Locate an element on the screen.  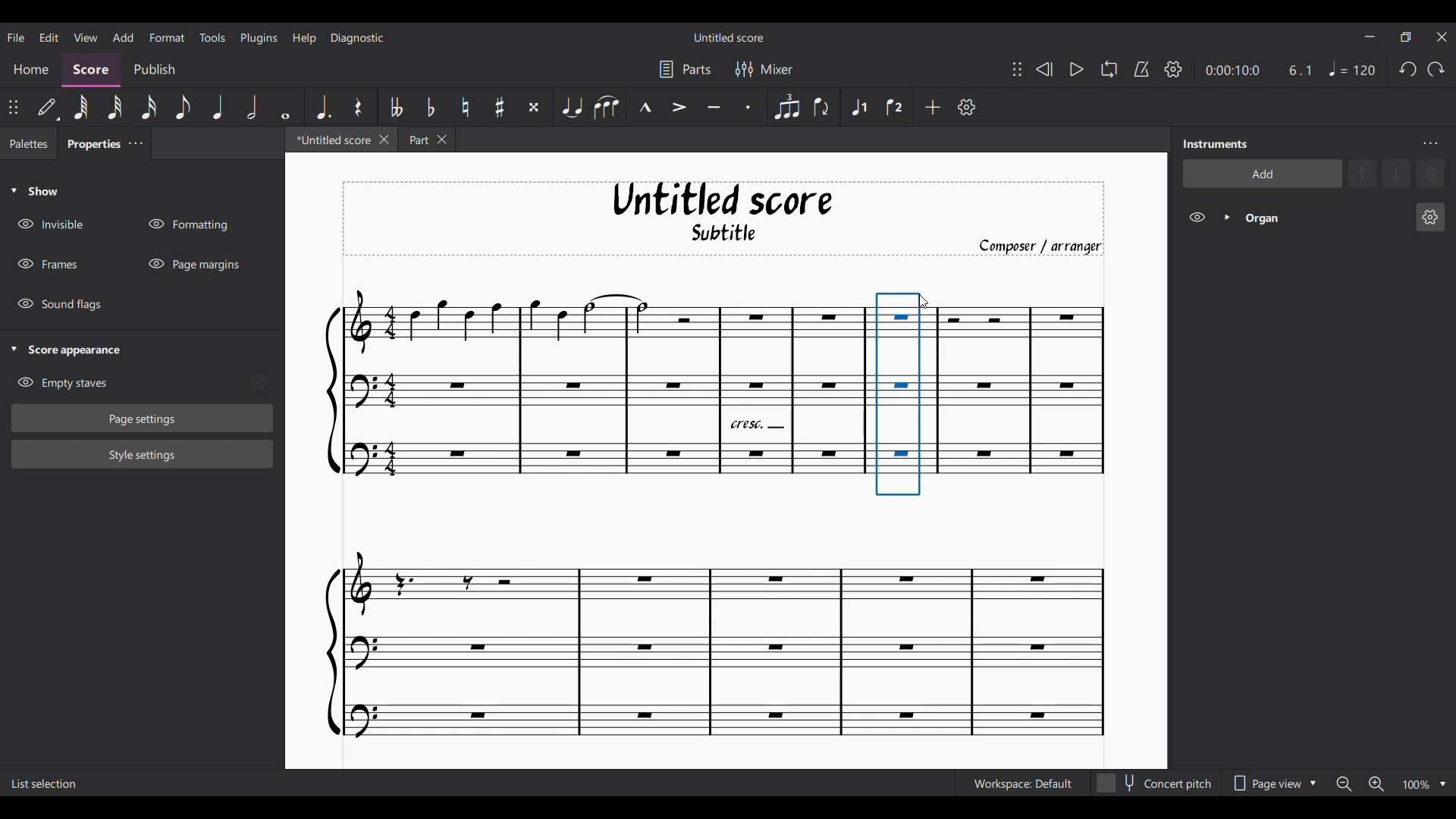
Toggle nature is located at coordinates (464, 107).